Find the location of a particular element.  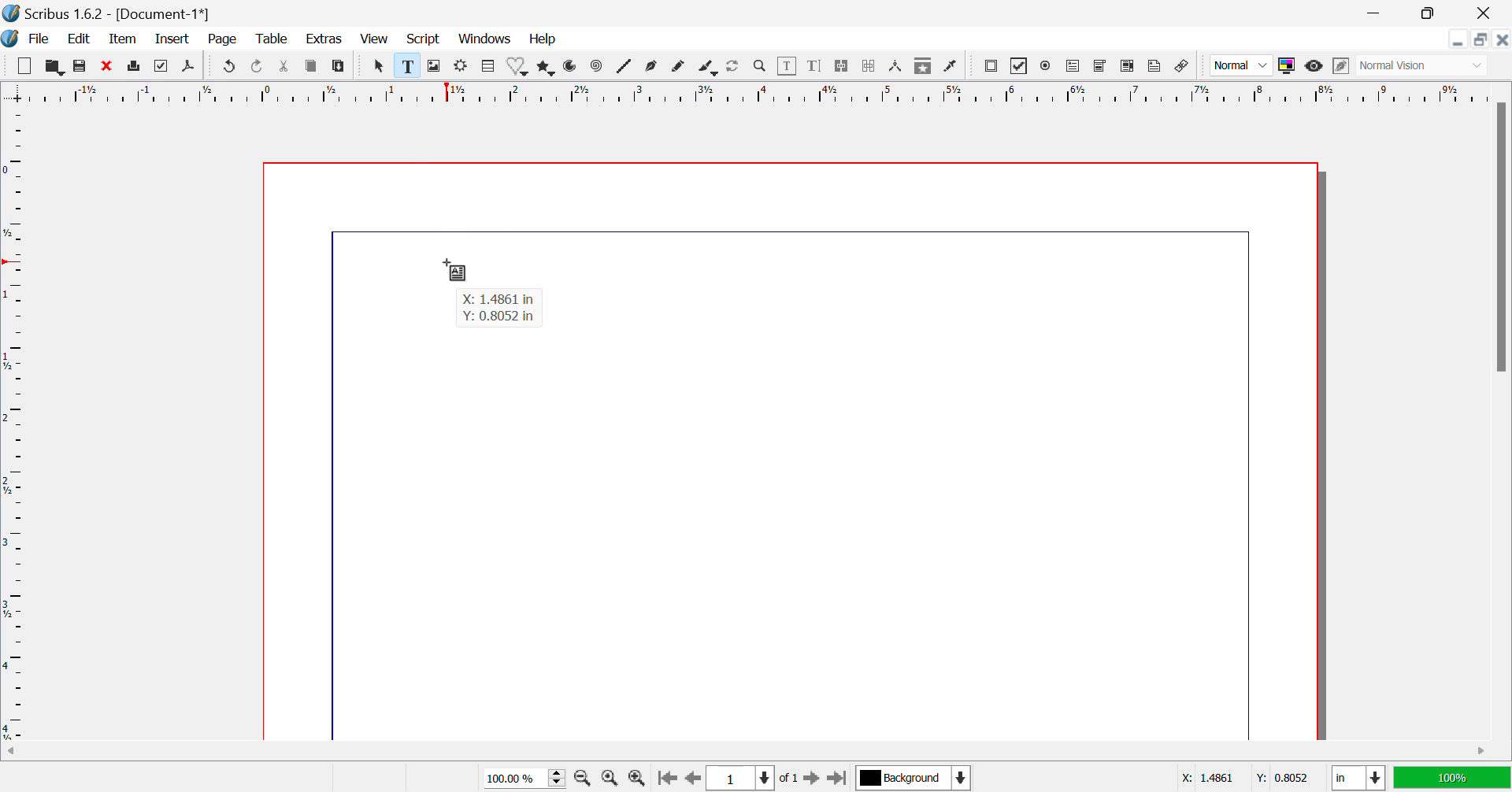

Undo is located at coordinates (228, 68).